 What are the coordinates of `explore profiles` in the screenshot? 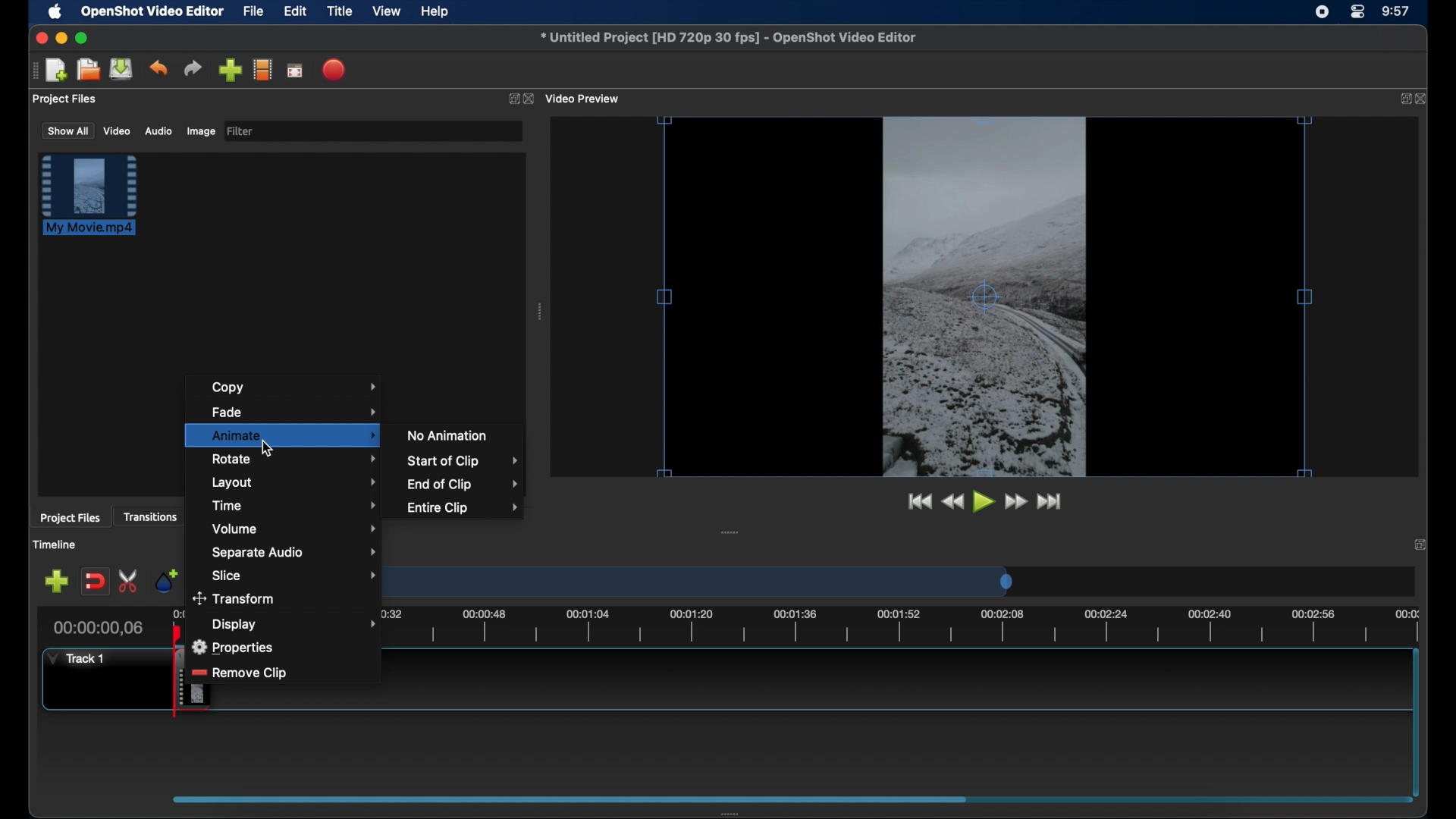 It's located at (262, 69).